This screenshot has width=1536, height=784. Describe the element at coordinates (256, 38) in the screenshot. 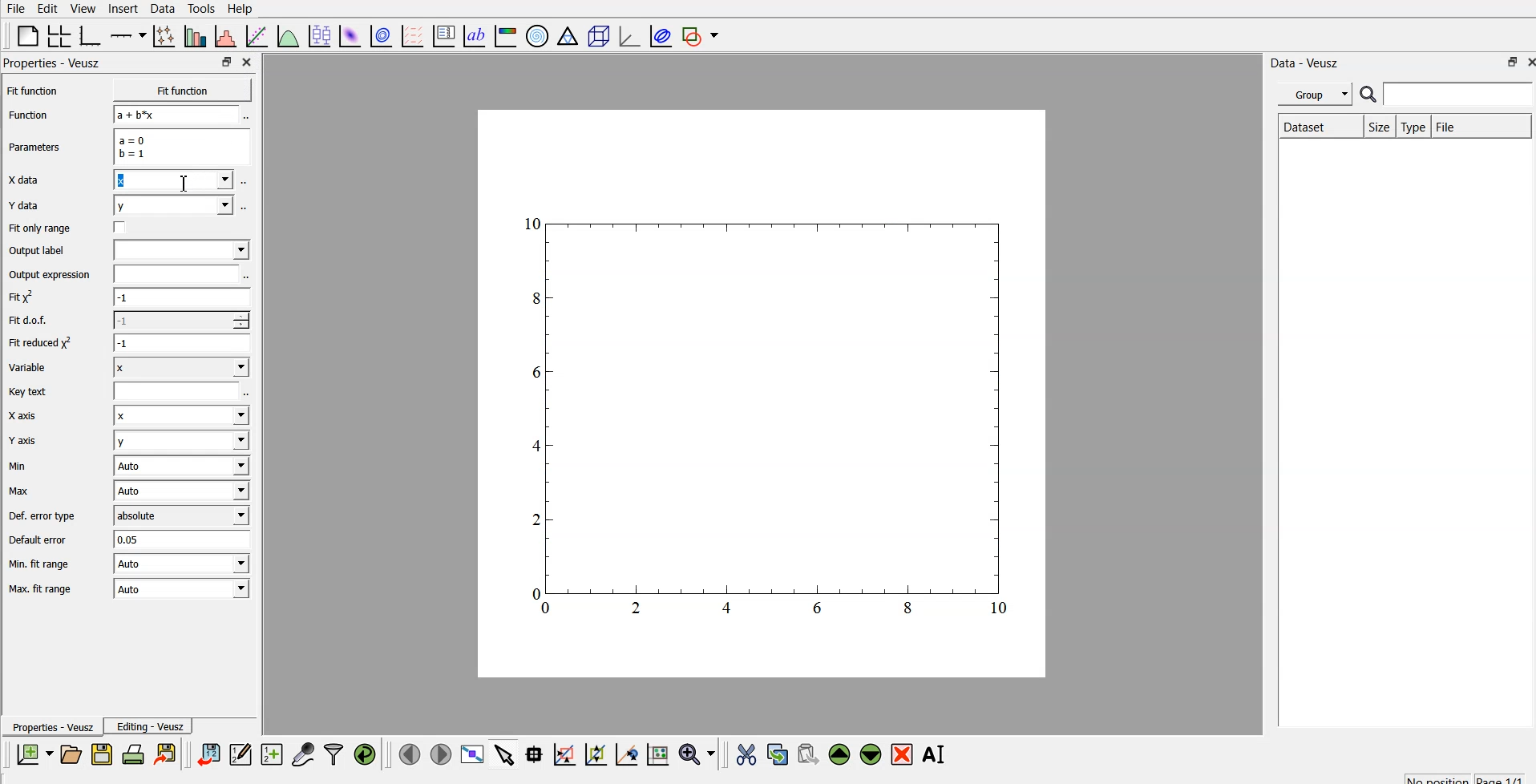

I see `fit  a function to data` at that location.